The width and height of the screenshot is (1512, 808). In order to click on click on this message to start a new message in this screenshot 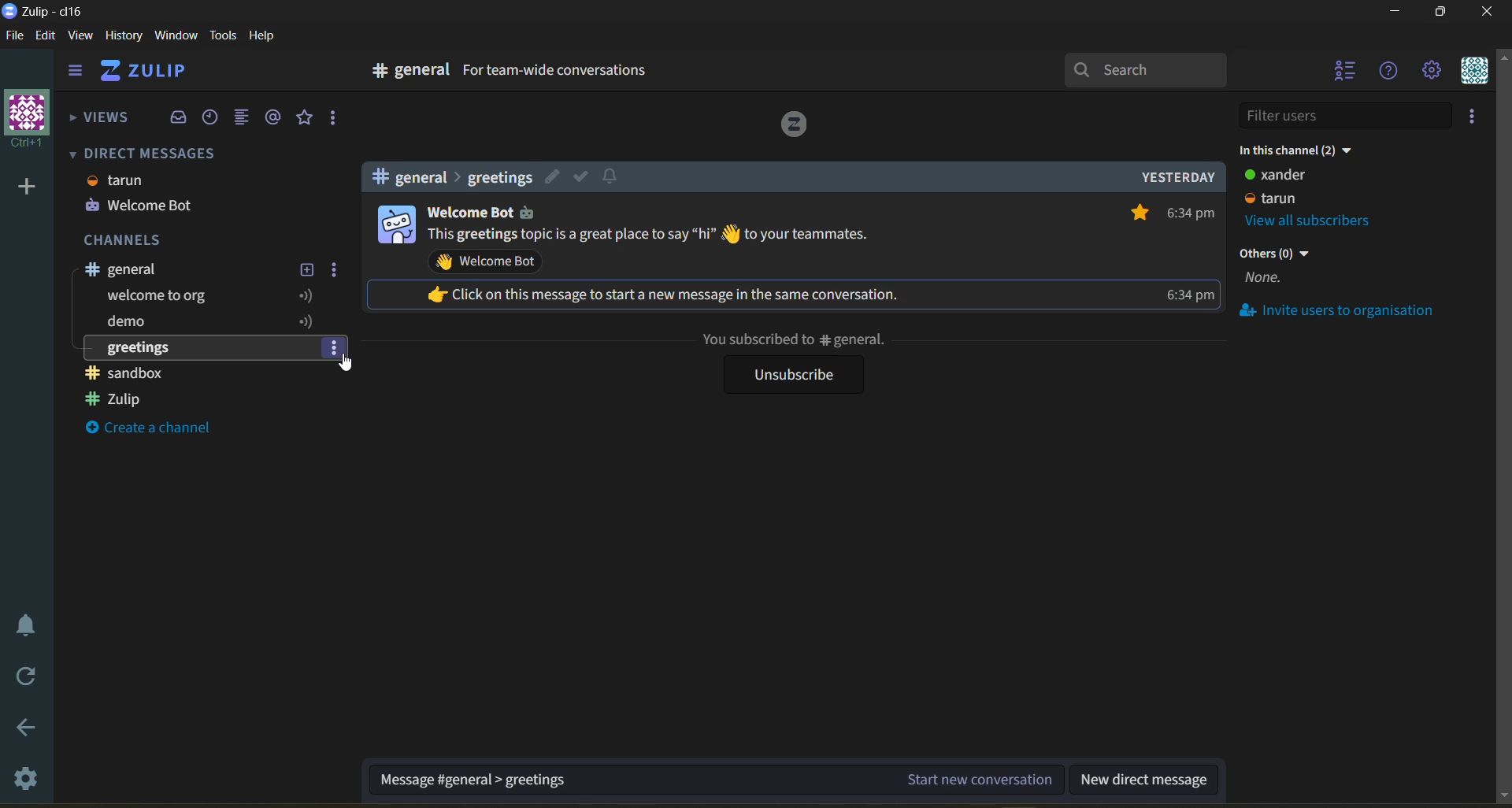, I will do `click(676, 294)`.